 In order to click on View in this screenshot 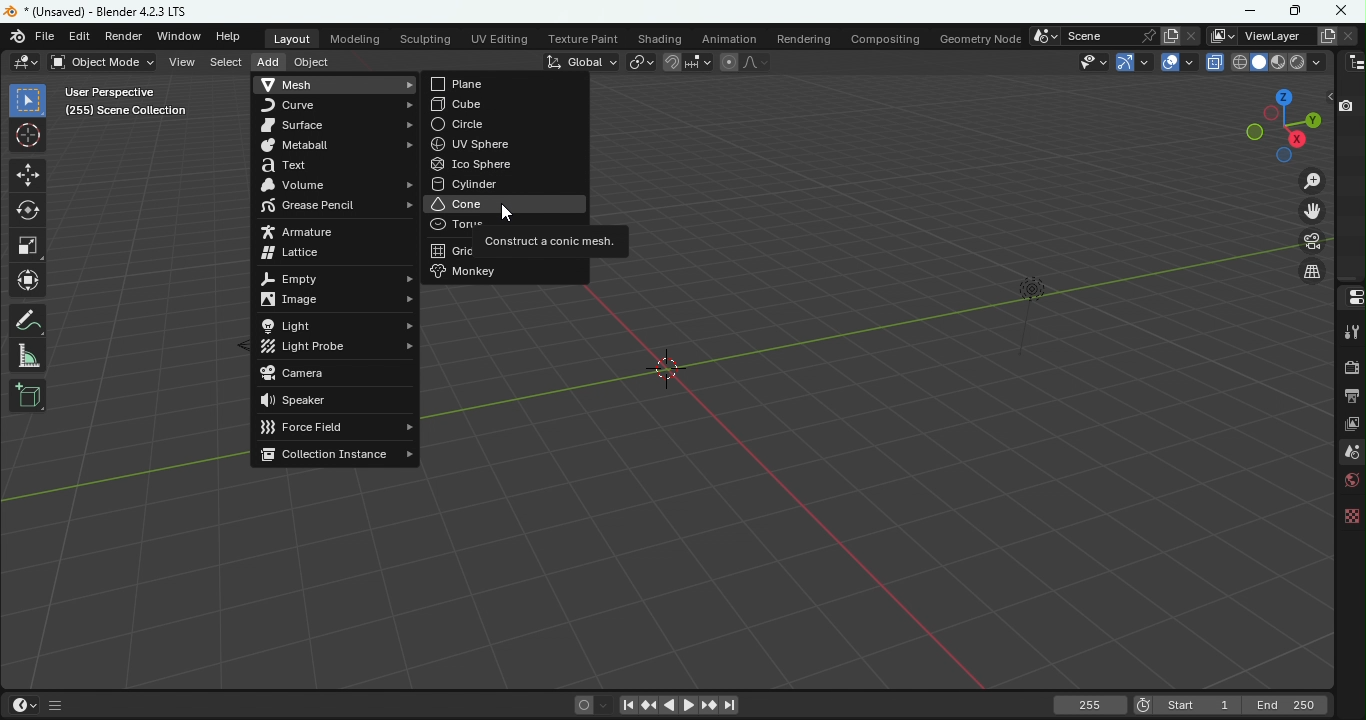, I will do `click(183, 63)`.